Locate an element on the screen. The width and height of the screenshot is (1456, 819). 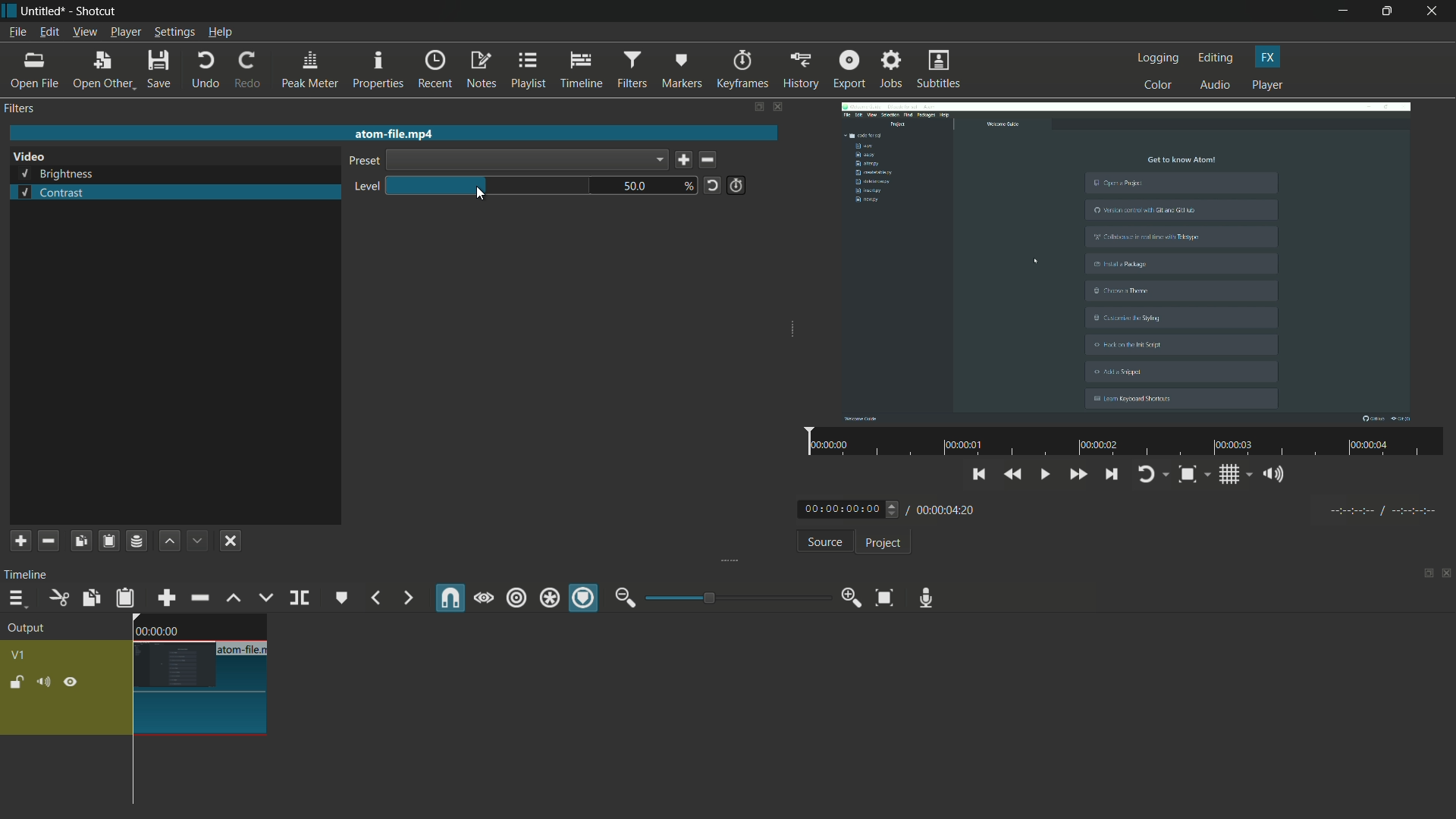
zoom out is located at coordinates (625, 598).